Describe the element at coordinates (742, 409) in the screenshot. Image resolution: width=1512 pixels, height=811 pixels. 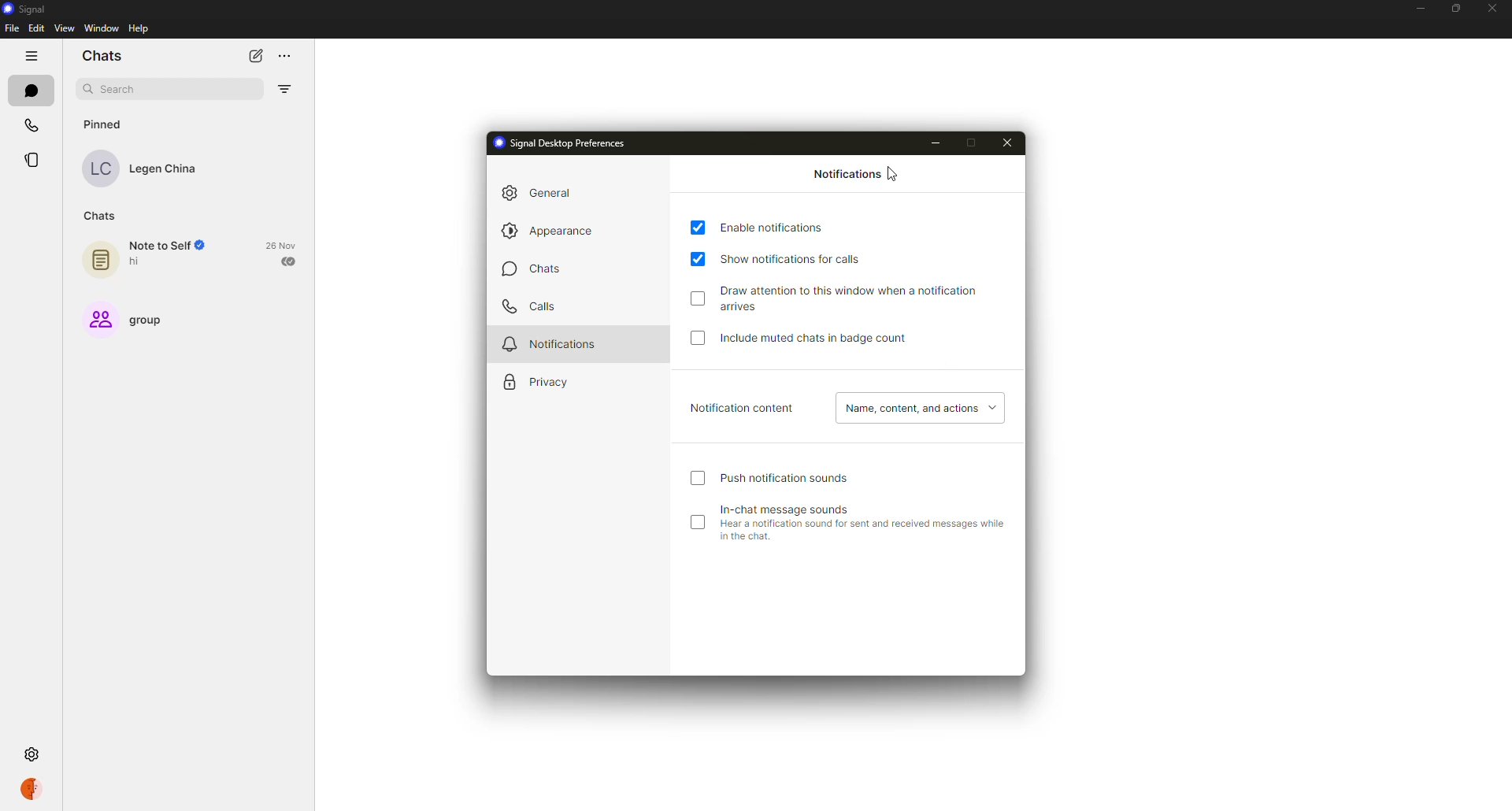
I see `notification  content` at that location.